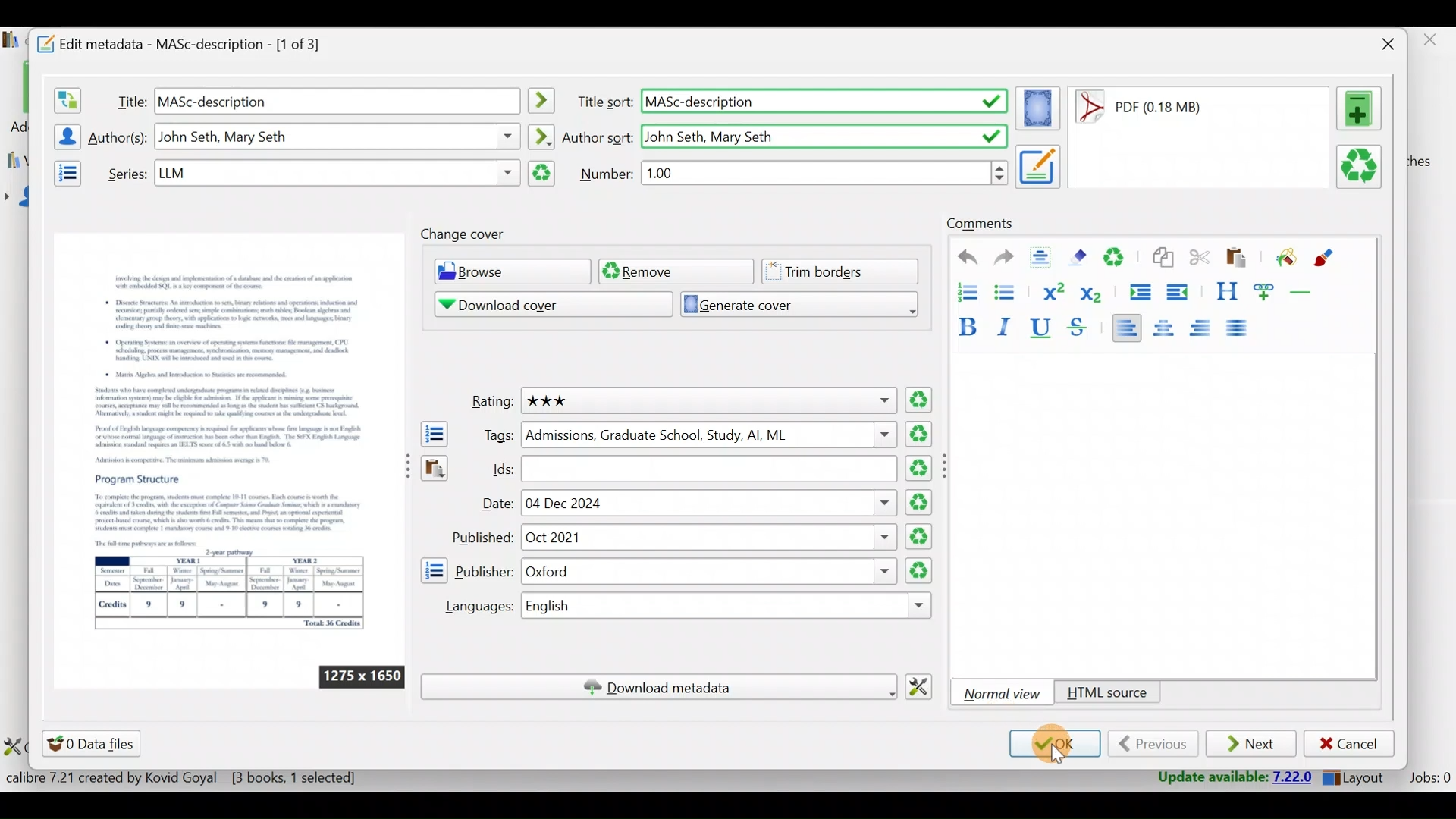 This screenshot has height=819, width=1456. Describe the element at coordinates (338, 136) in the screenshot. I see `` at that location.